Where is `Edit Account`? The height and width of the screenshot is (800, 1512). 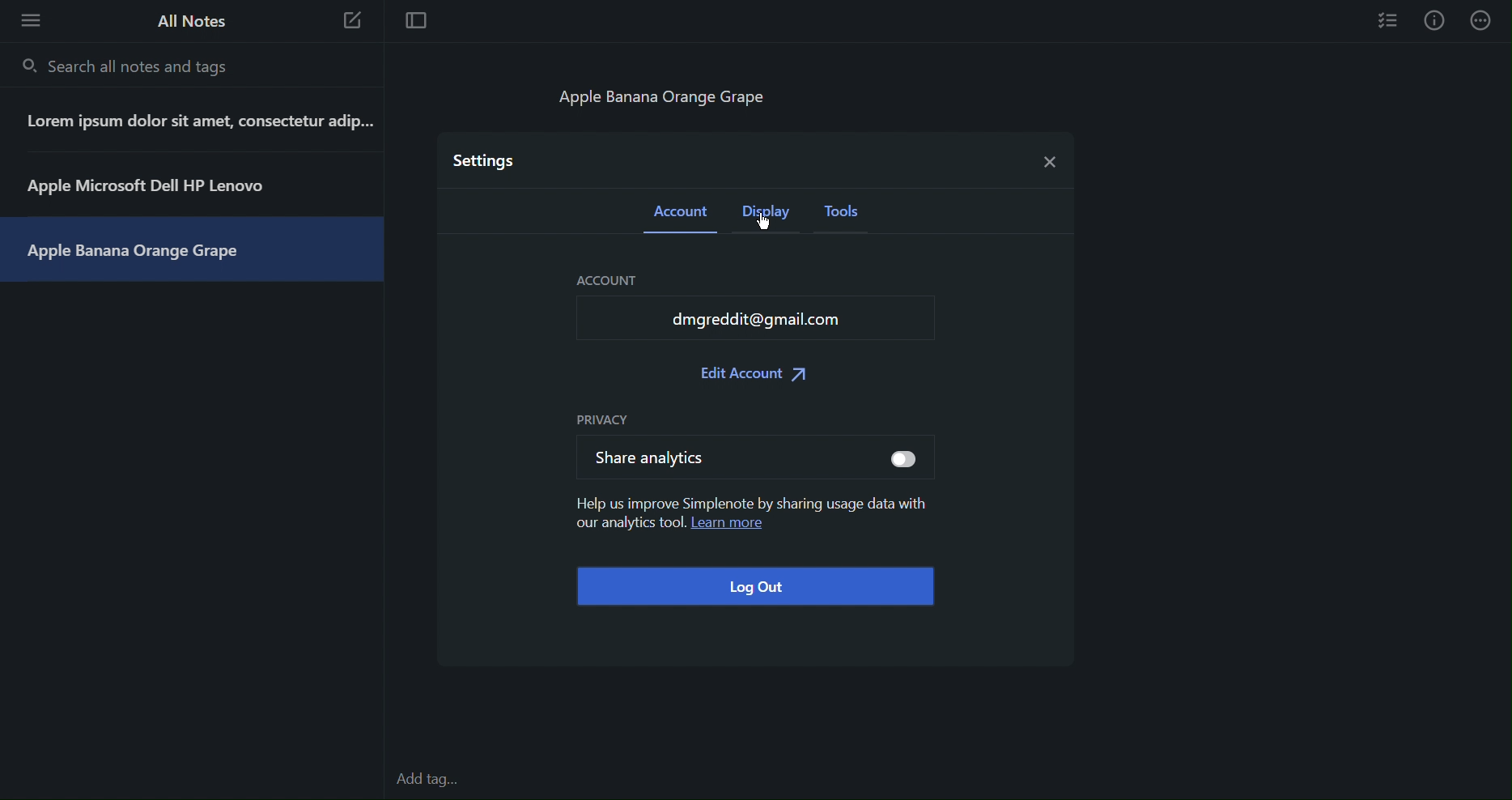 Edit Account is located at coordinates (755, 376).